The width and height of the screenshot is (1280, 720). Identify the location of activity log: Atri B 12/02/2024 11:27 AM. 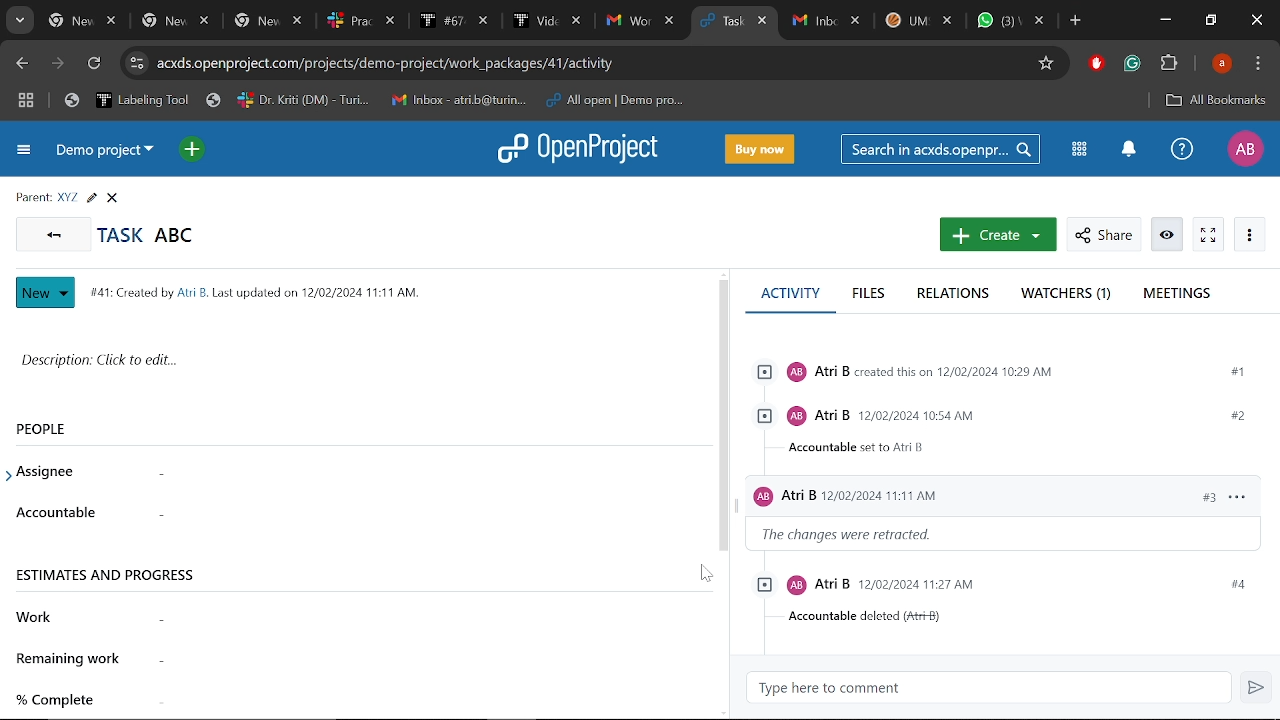
(1010, 585).